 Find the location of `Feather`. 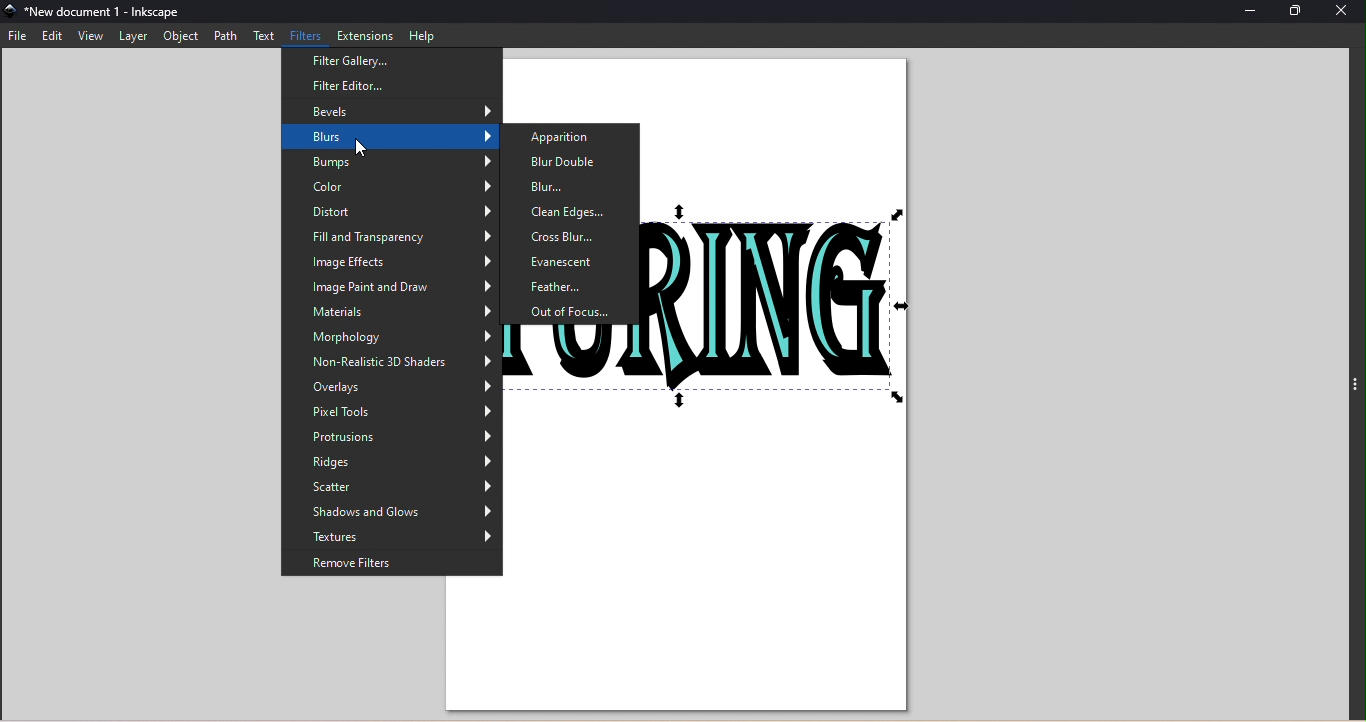

Feather is located at coordinates (574, 286).